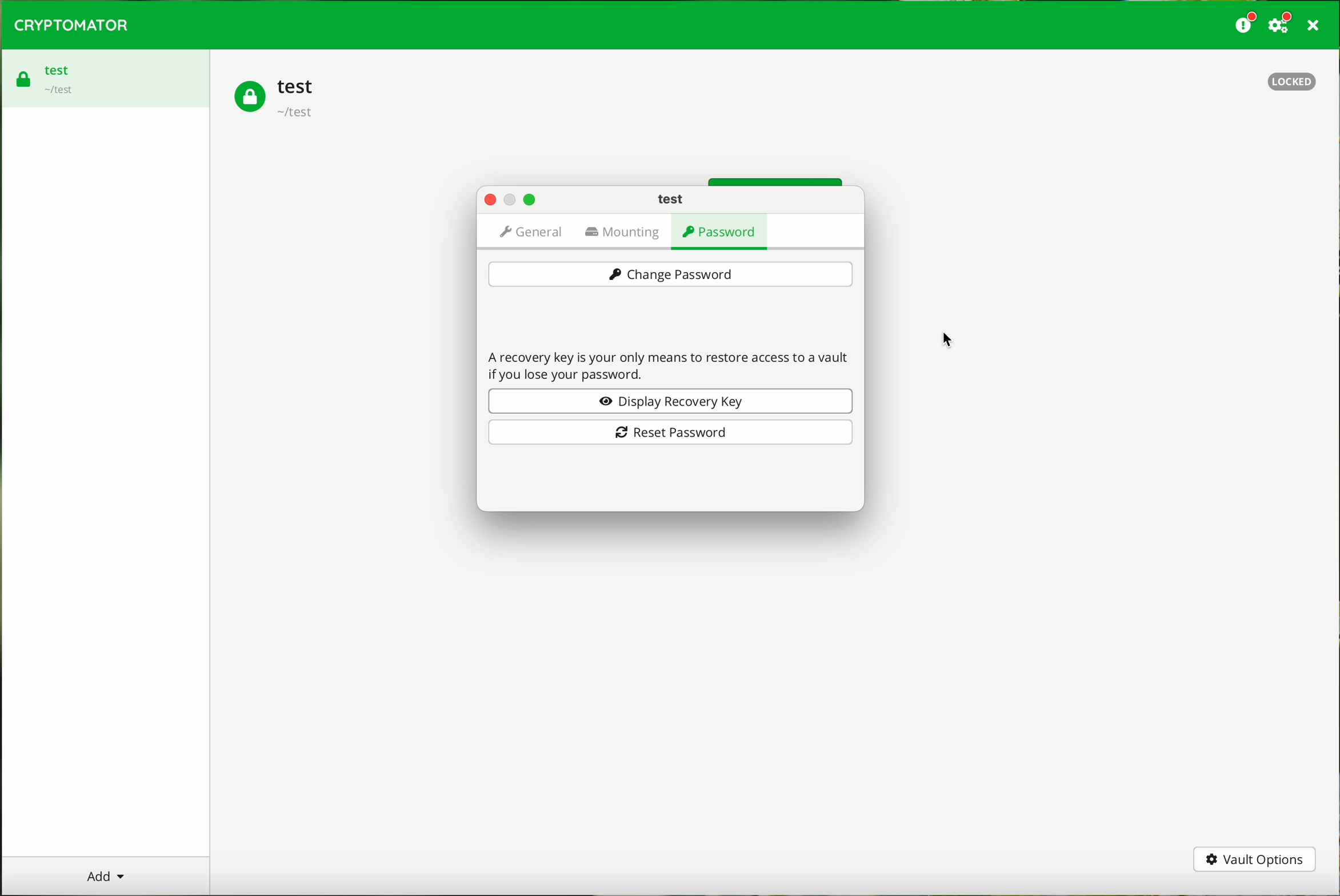  Describe the element at coordinates (278, 99) in the screenshot. I see `test vault` at that location.